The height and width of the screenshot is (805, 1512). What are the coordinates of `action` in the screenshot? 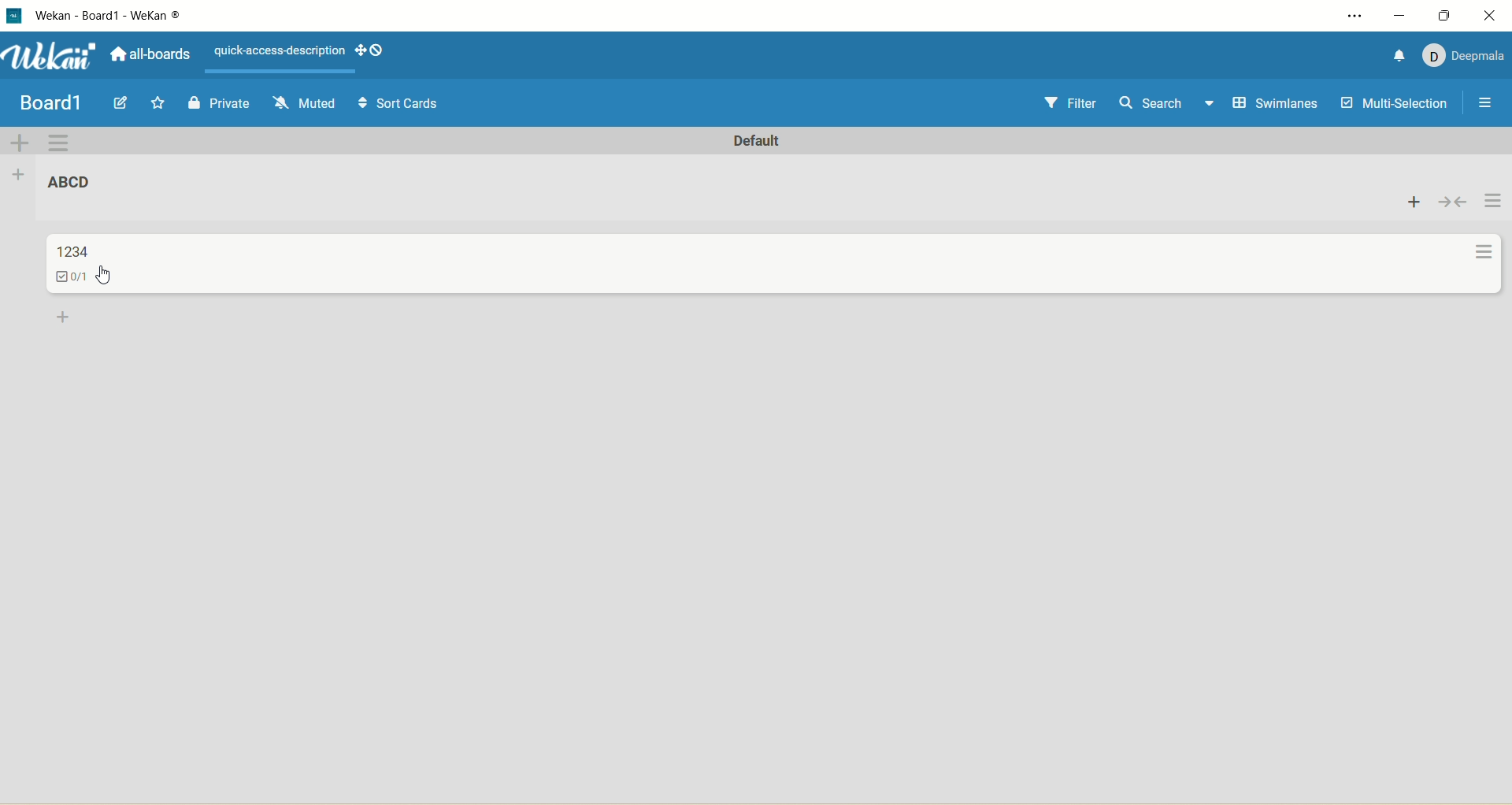 It's located at (1492, 241).